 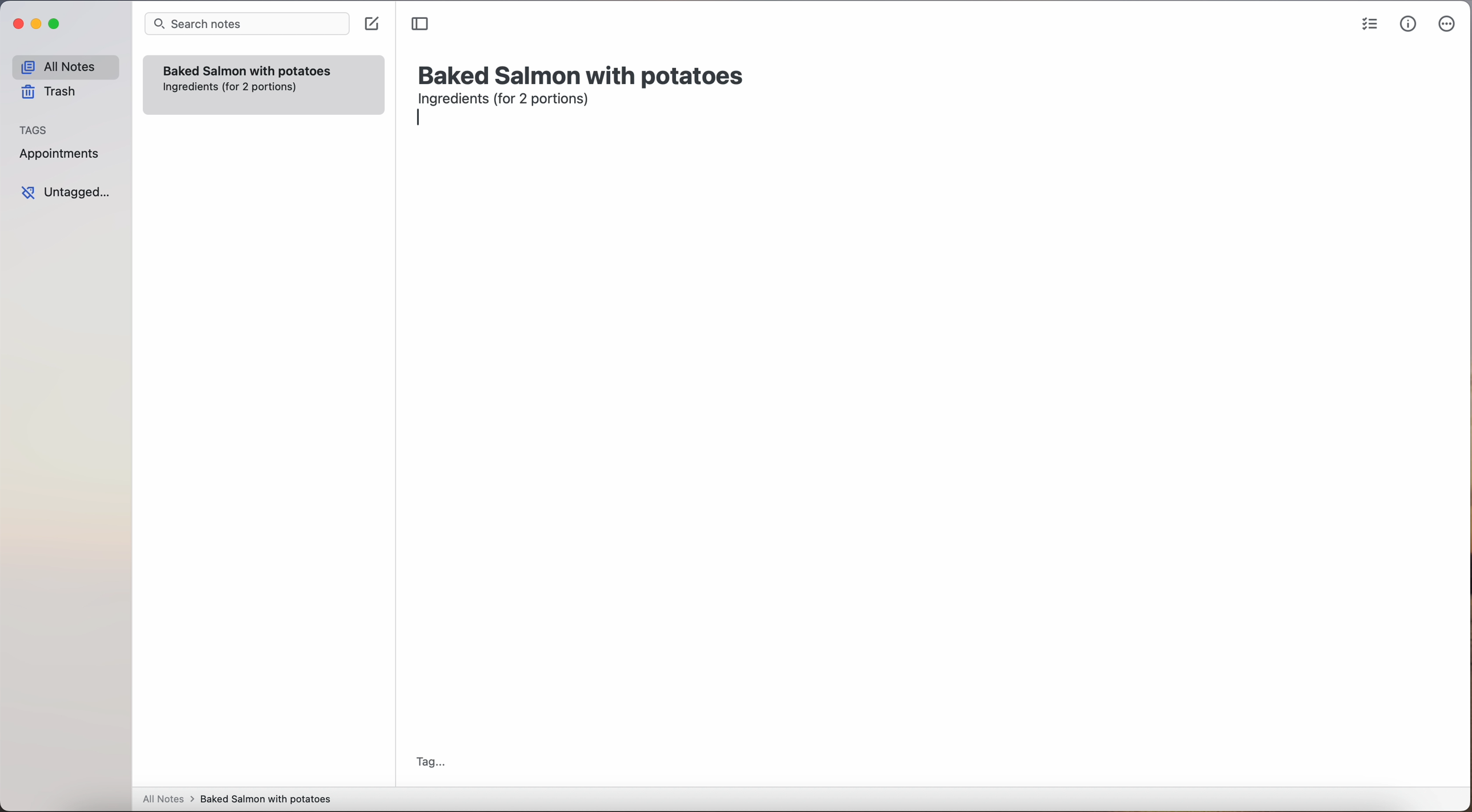 I want to click on untagged, so click(x=67, y=192).